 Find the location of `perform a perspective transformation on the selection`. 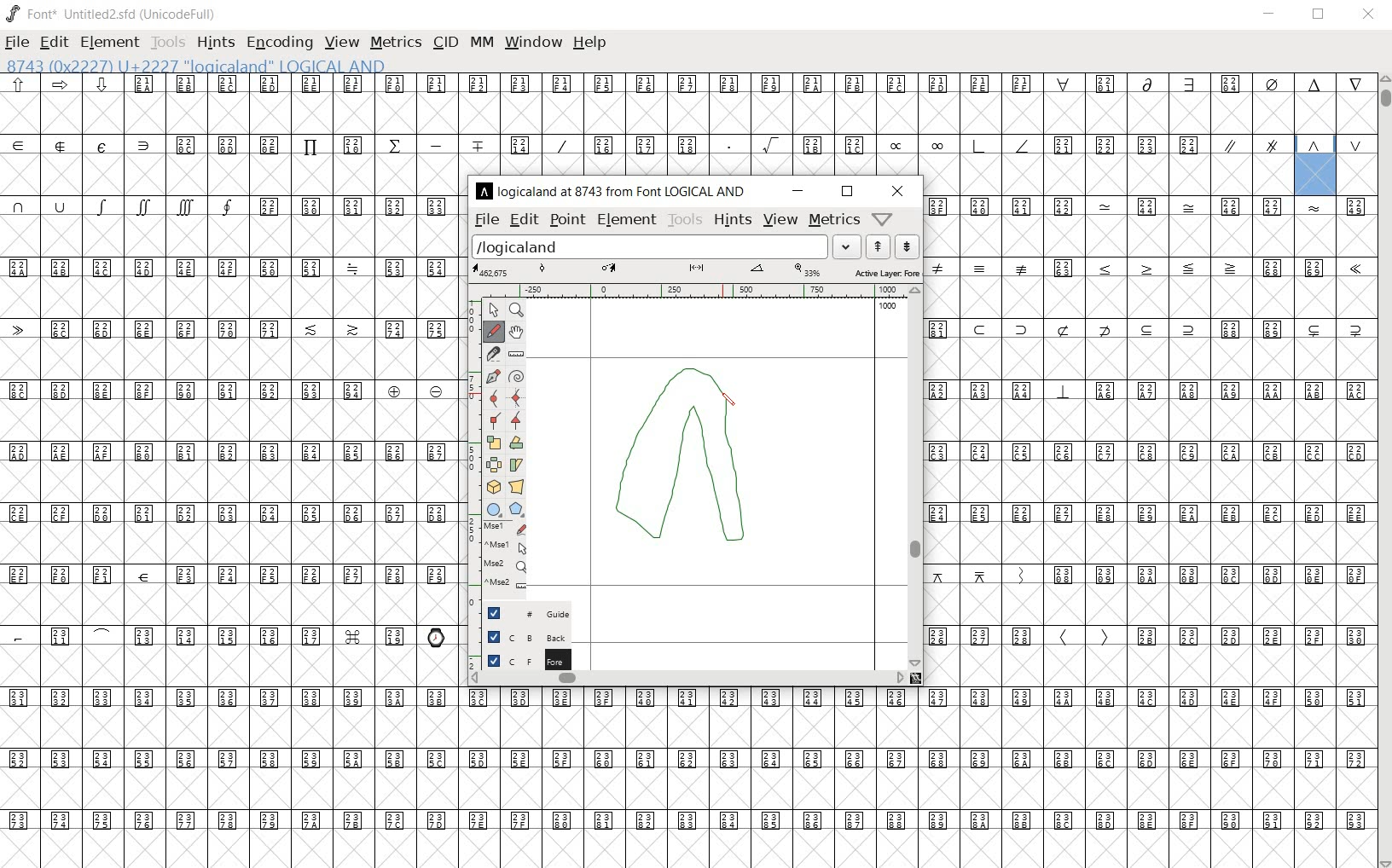

perform a perspective transformation on the selection is located at coordinates (515, 486).